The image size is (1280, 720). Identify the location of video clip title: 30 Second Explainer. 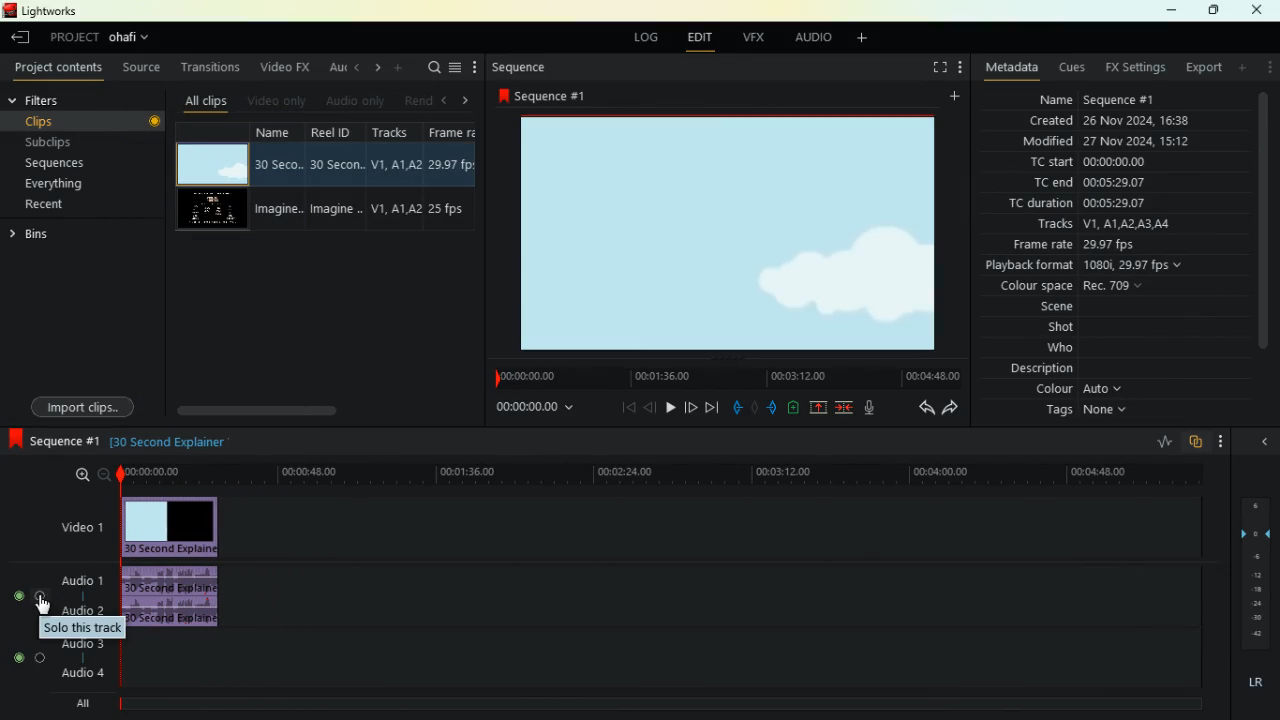
(169, 439).